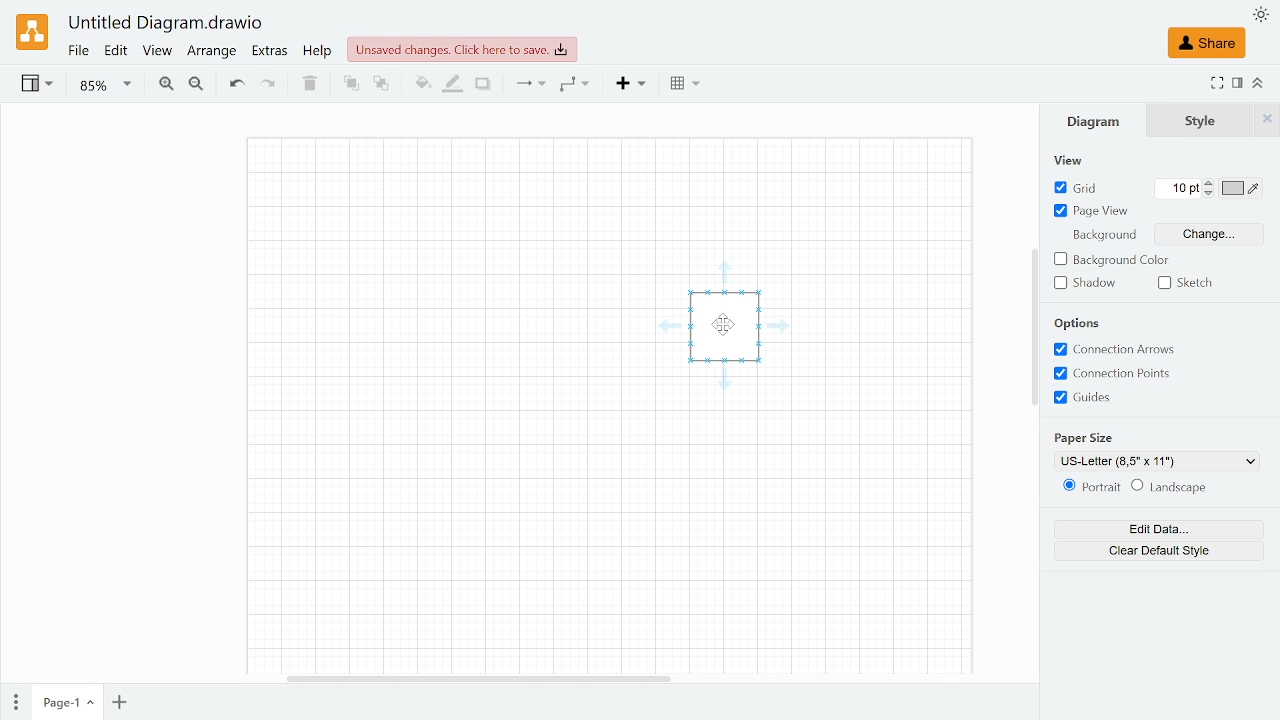 This screenshot has width=1280, height=720. Describe the element at coordinates (462, 49) in the screenshot. I see `Unsaved changes.Click here to save.` at that location.